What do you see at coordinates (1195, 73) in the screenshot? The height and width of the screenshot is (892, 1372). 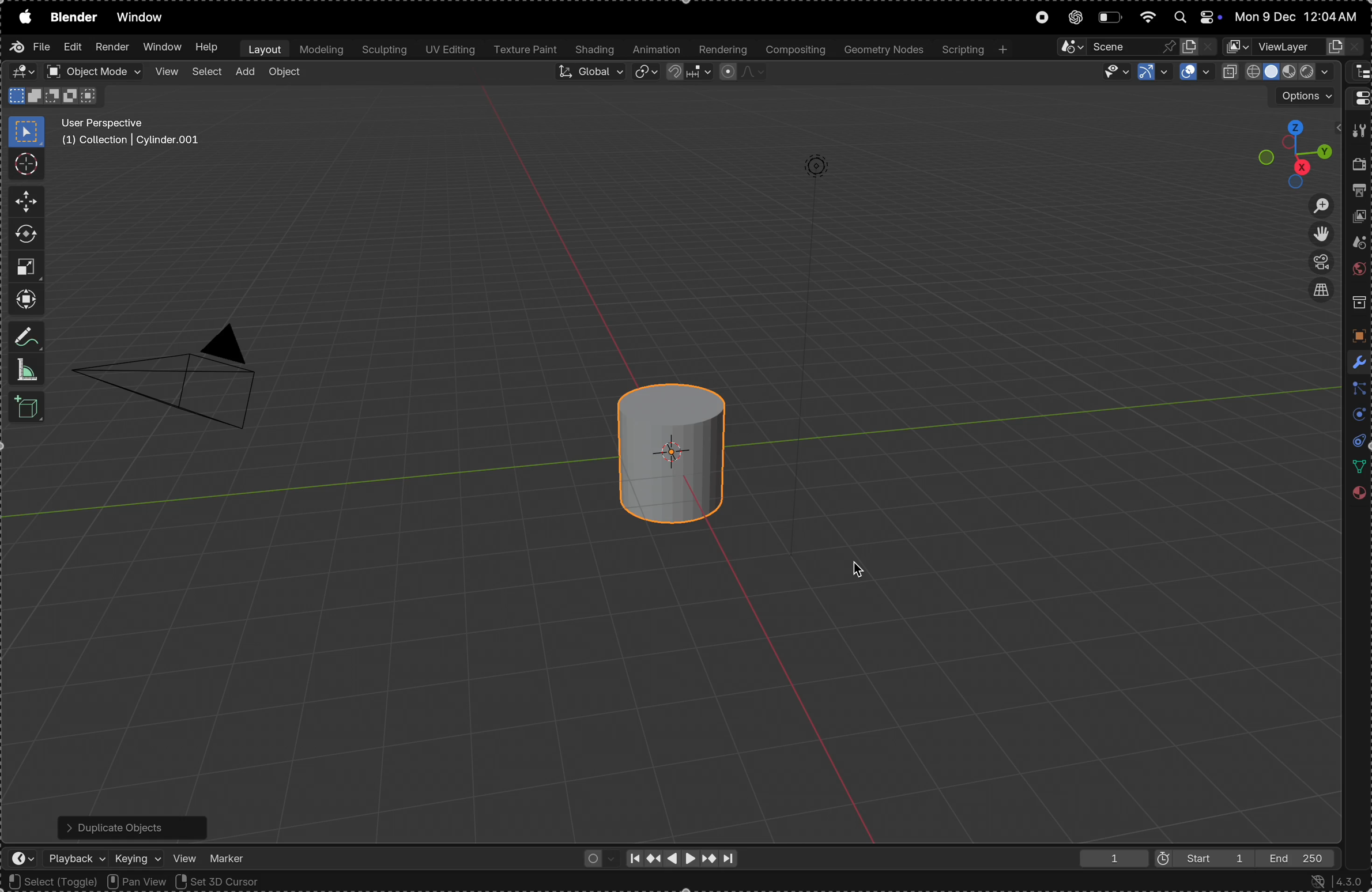 I see `show overlays` at bounding box center [1195, 73].